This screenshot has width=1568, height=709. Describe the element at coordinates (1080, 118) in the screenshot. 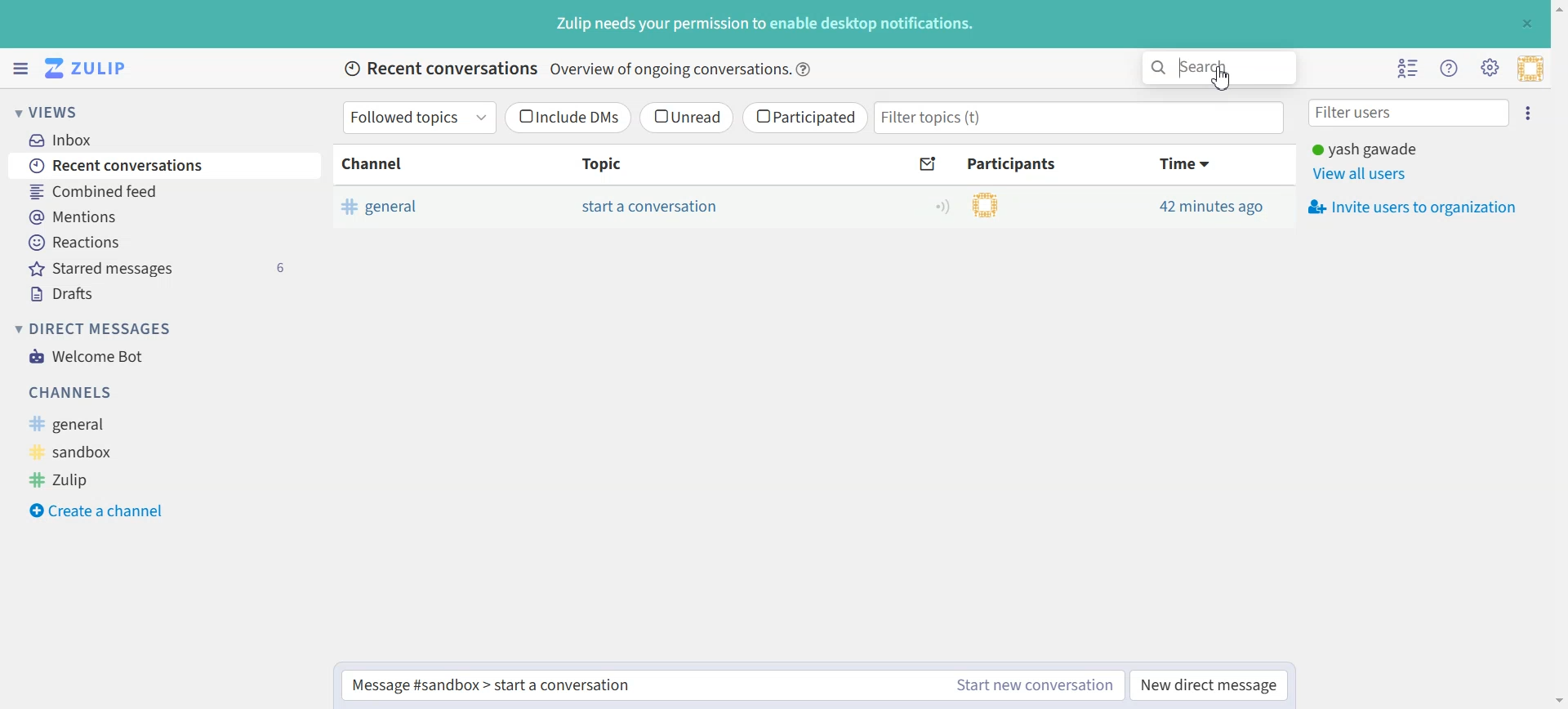

I see `Filter topics` at that location.